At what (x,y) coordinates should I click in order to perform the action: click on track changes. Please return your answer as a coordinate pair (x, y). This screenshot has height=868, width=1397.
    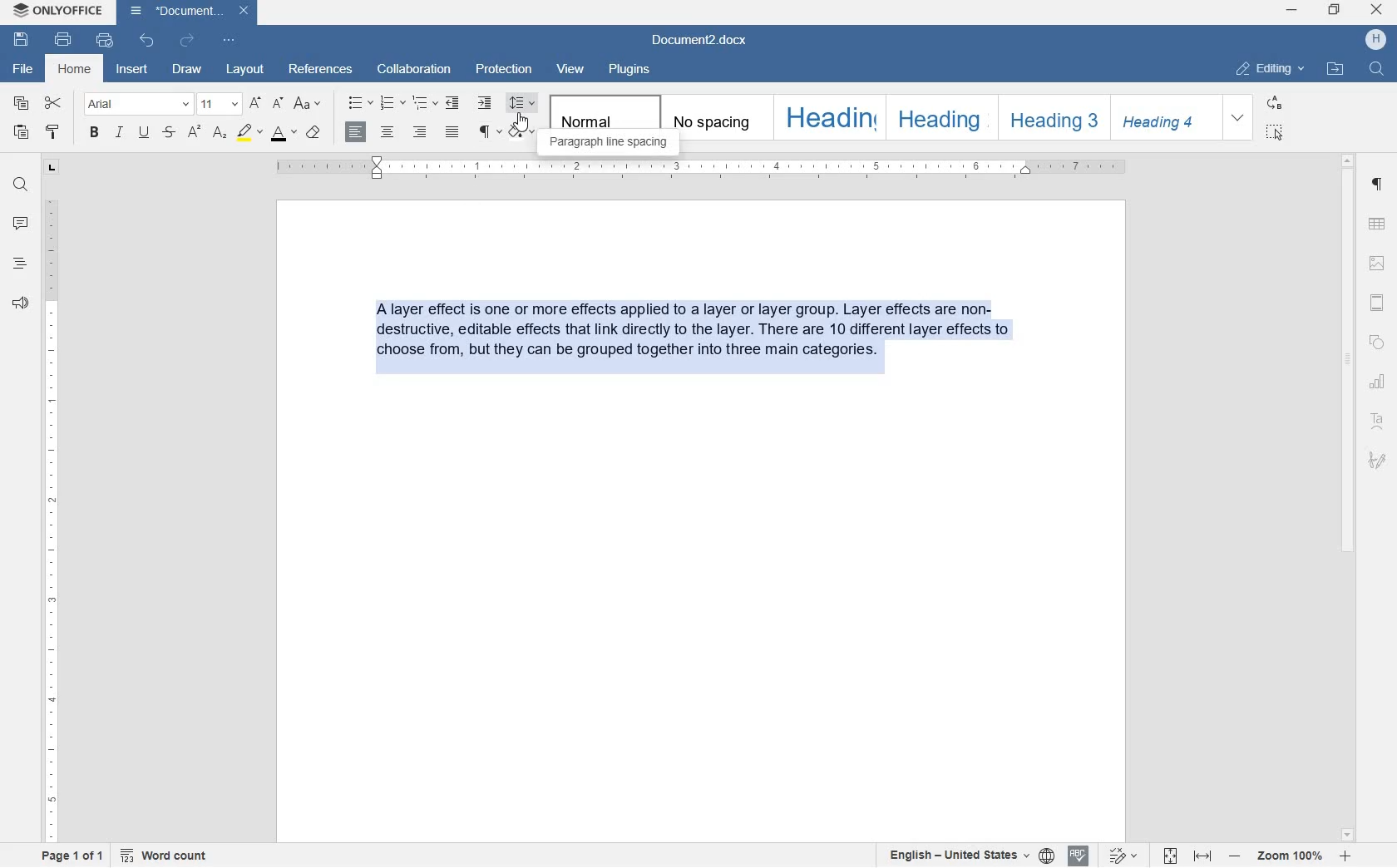
    Looking at the image, I should click on (1124, 856).